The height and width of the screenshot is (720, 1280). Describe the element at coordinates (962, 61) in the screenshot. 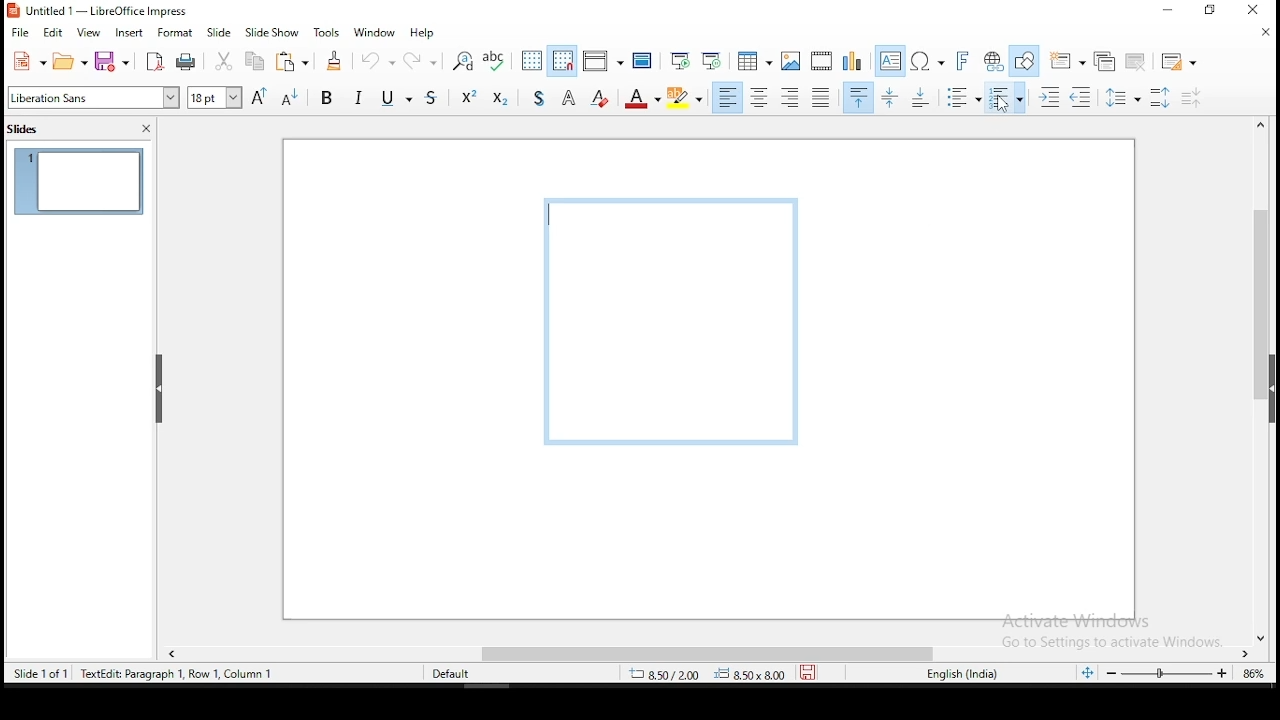

I see `insert fontwork text` at that location.